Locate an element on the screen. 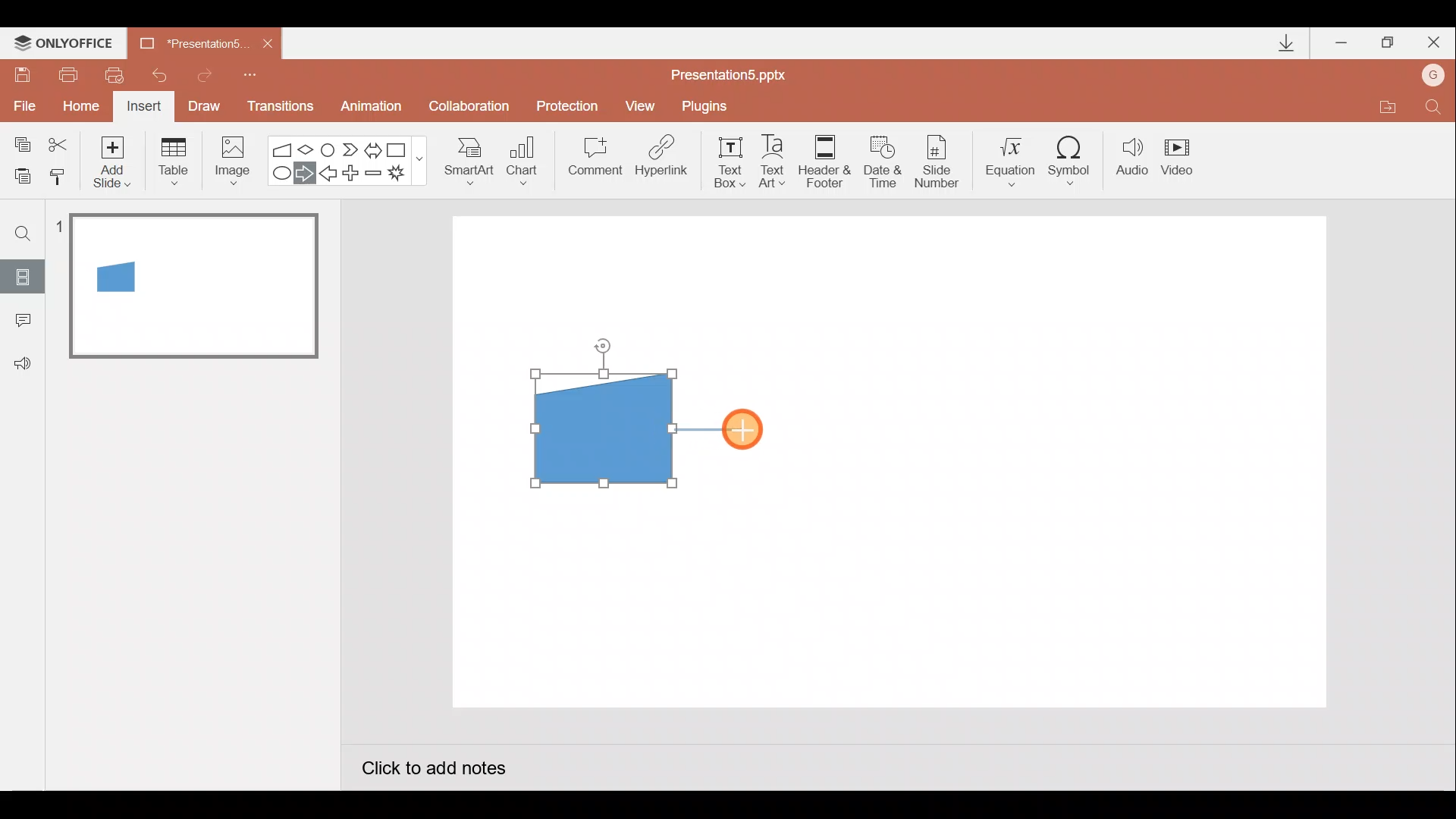  Find is located at coordinates (1433, 111).